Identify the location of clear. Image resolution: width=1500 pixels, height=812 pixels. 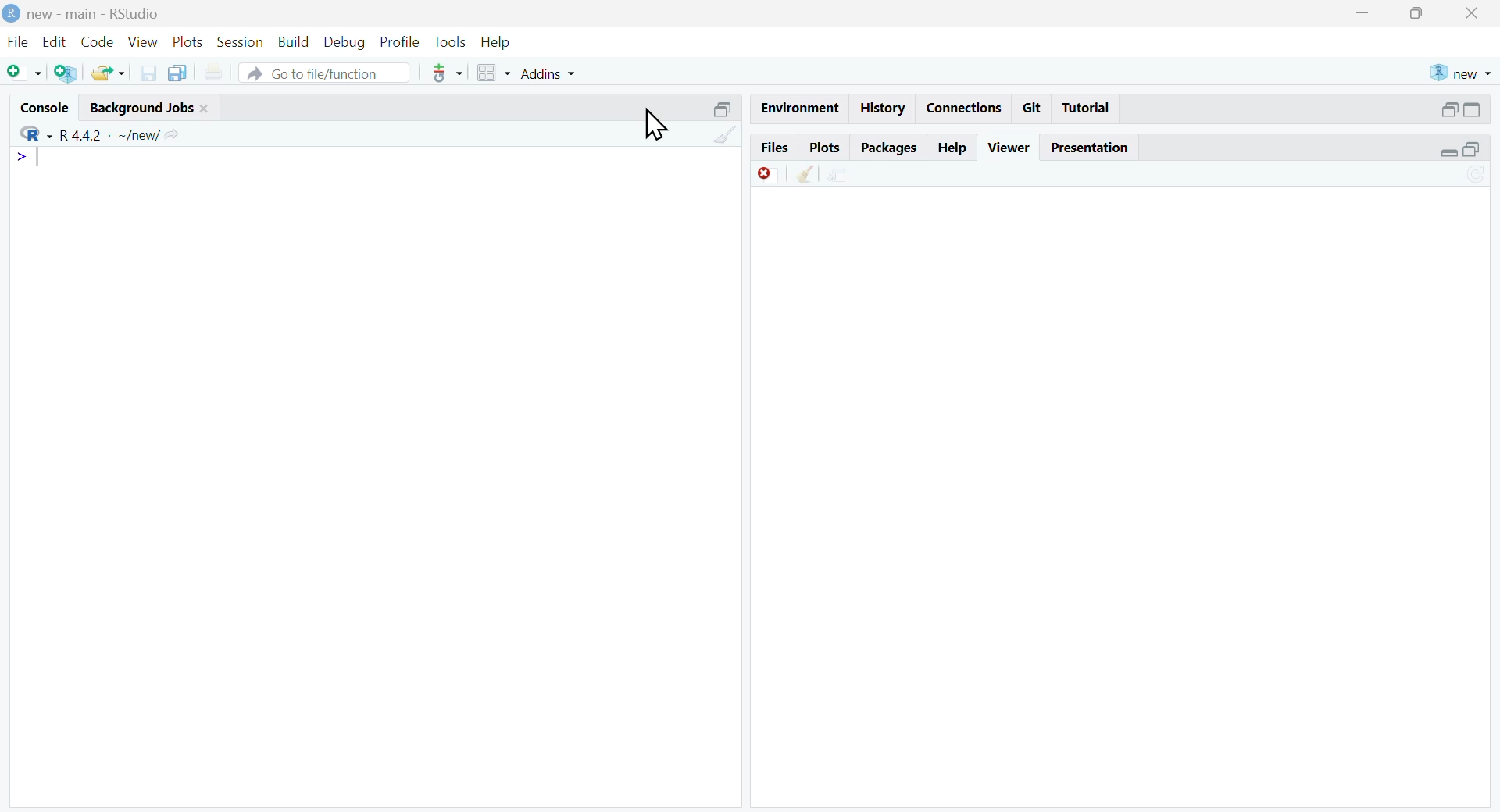
(808, 173).